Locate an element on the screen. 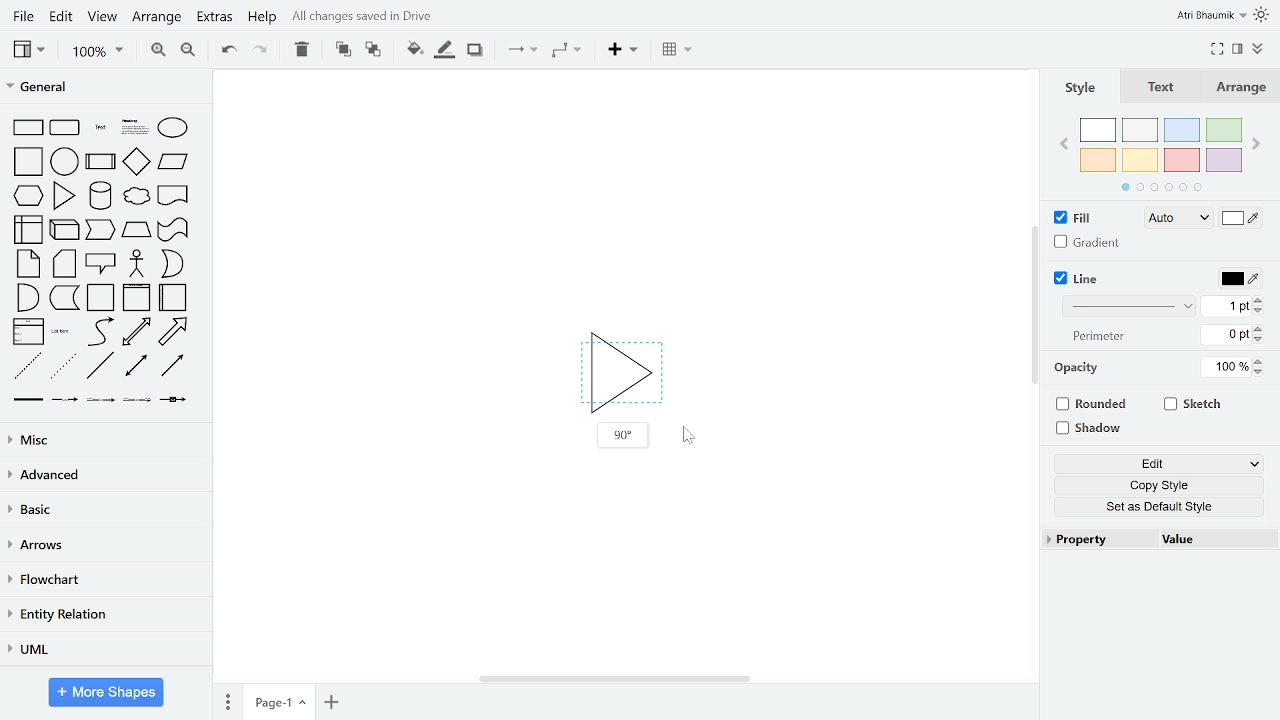 Image resolution: width=1280 pixels, height=720 pixels. connector is located at coordinates (522, 50).